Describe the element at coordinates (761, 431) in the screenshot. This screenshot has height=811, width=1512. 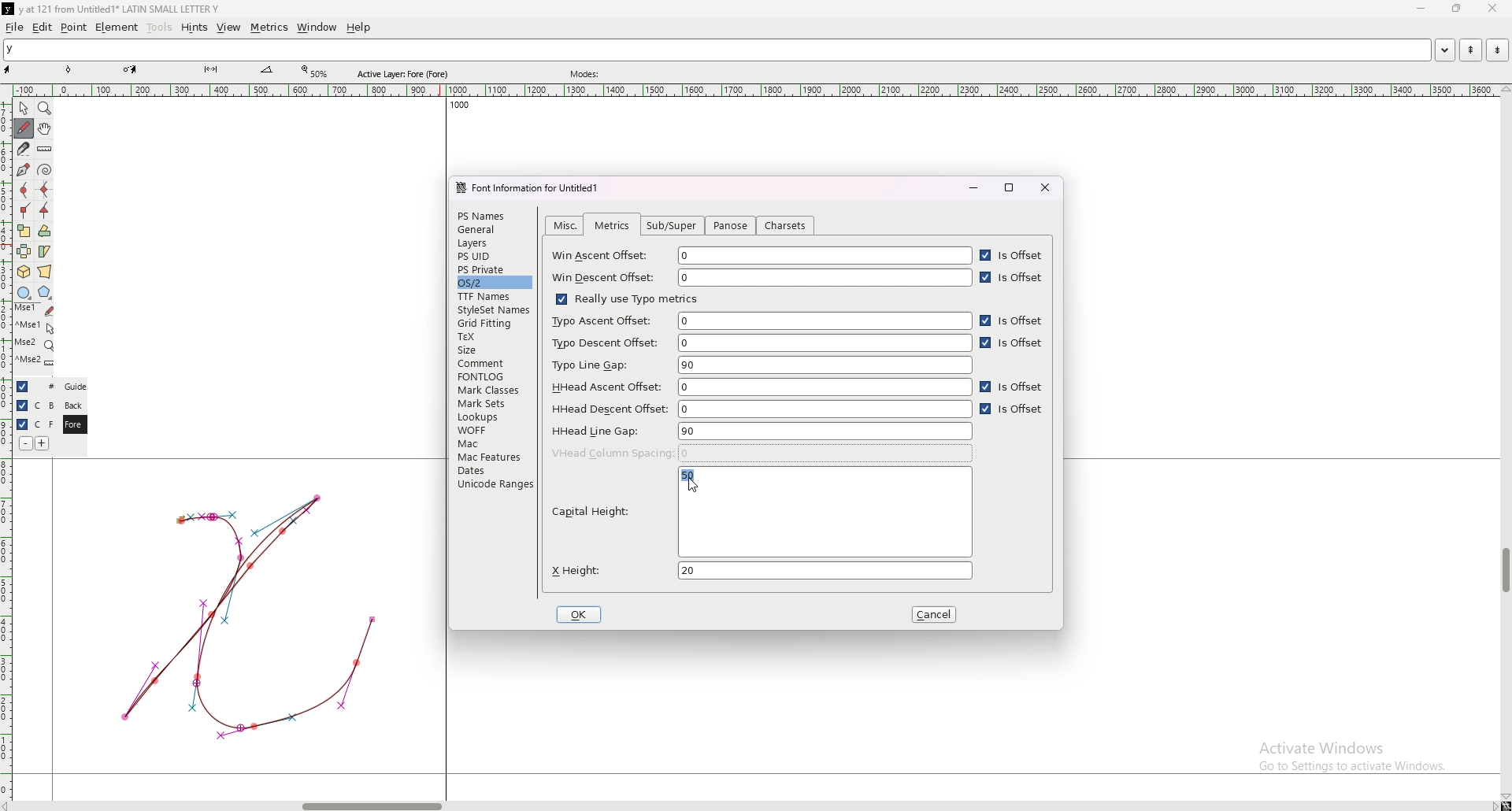
I see `hhead line gap 90` at that location.